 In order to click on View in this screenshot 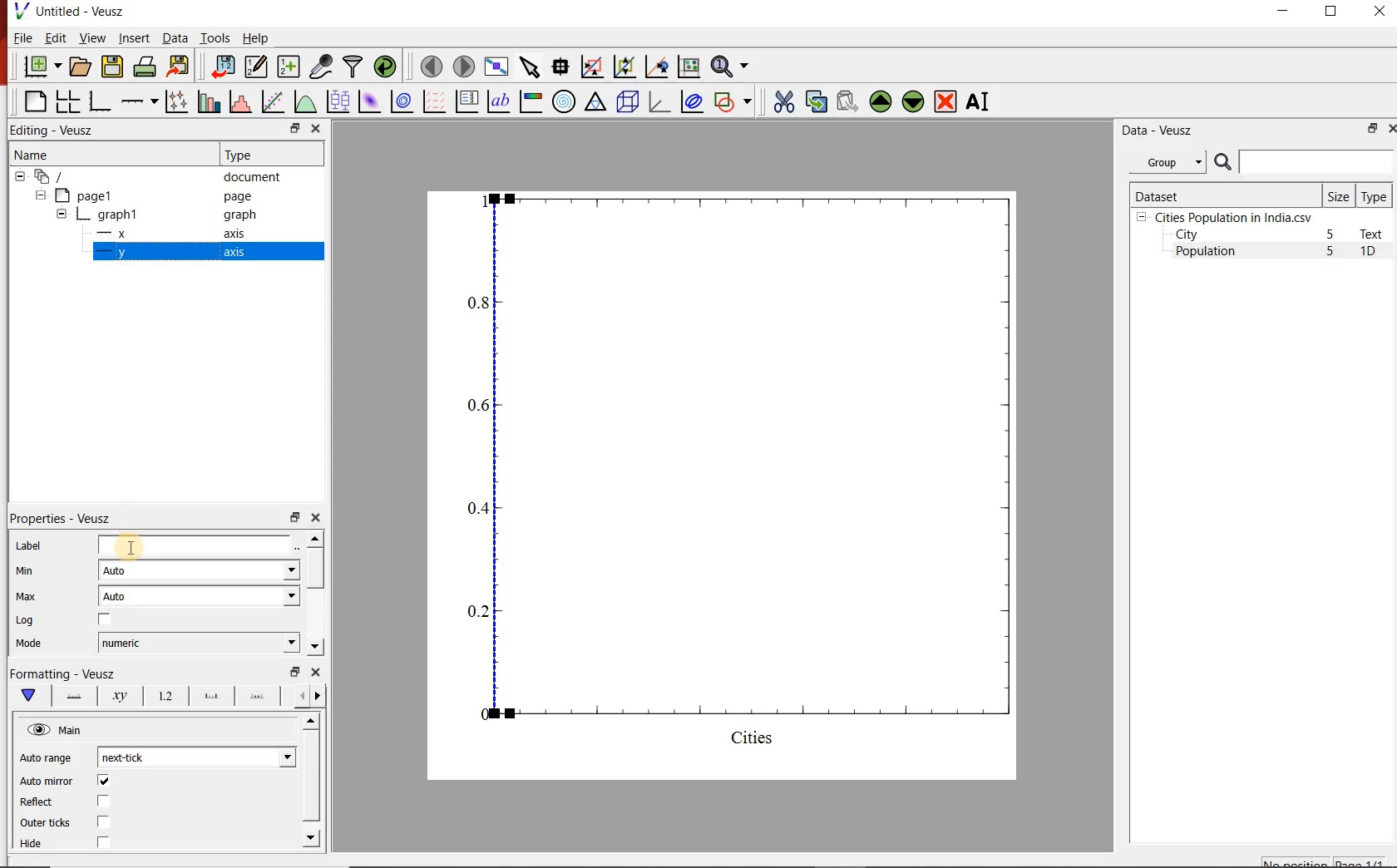, I will do `click(89, 37)`.